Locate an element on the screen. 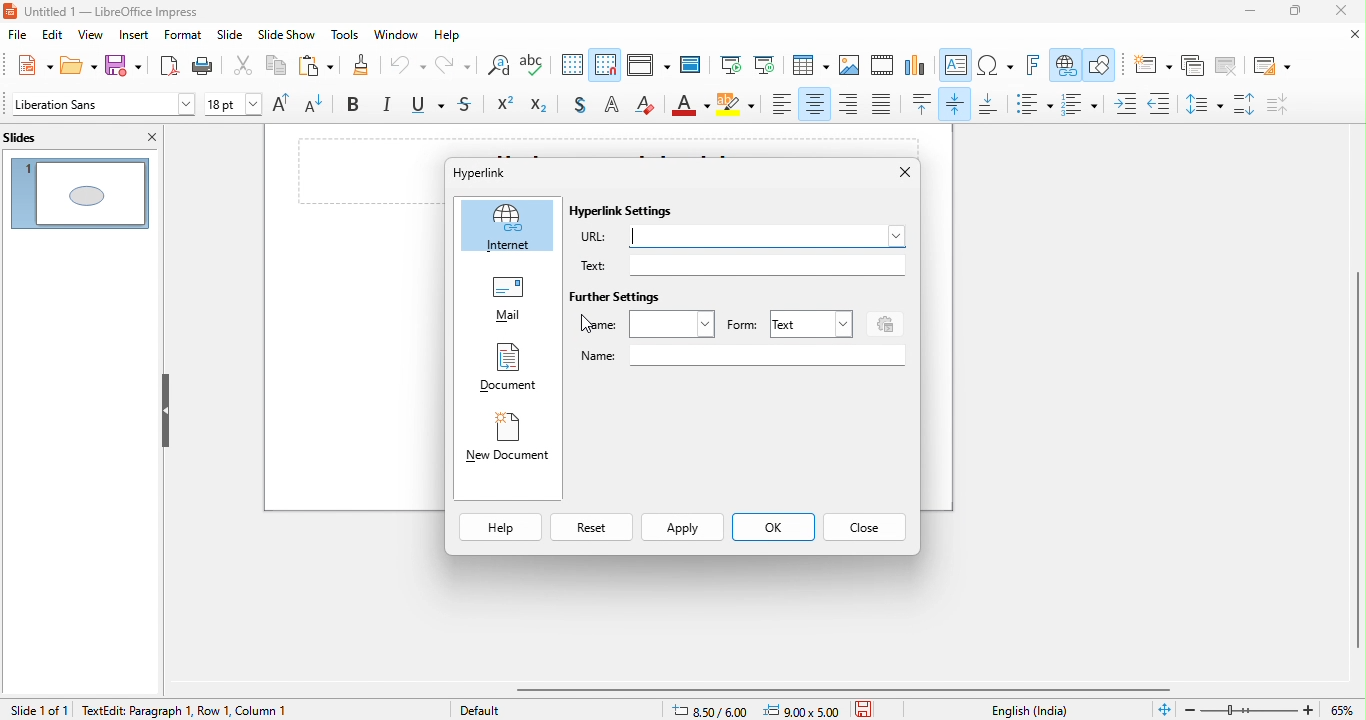  apply outline attribute to font is located at coordinates (611, 107).